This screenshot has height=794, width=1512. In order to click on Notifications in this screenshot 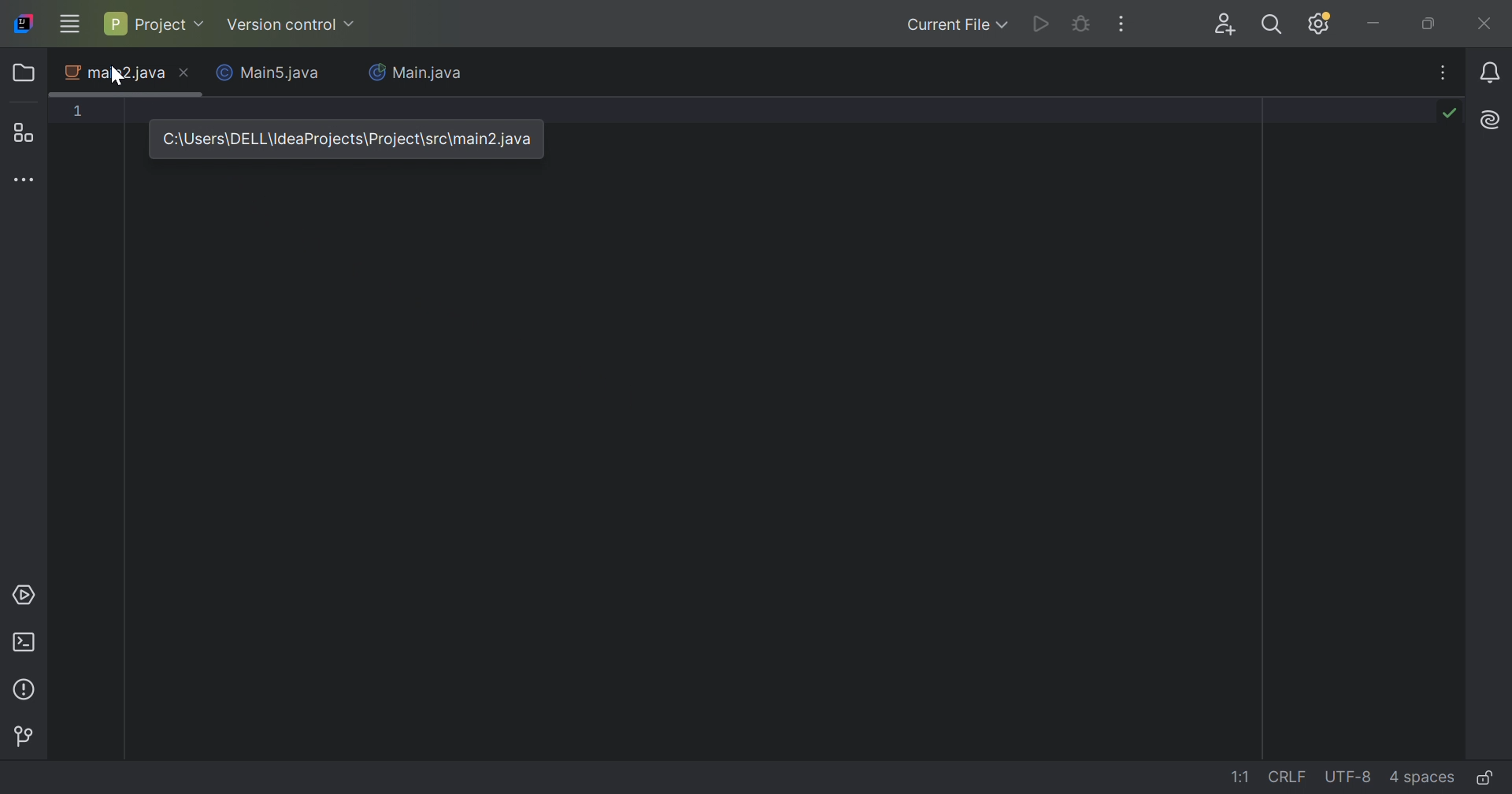, I will do `click(1493, 73)`.